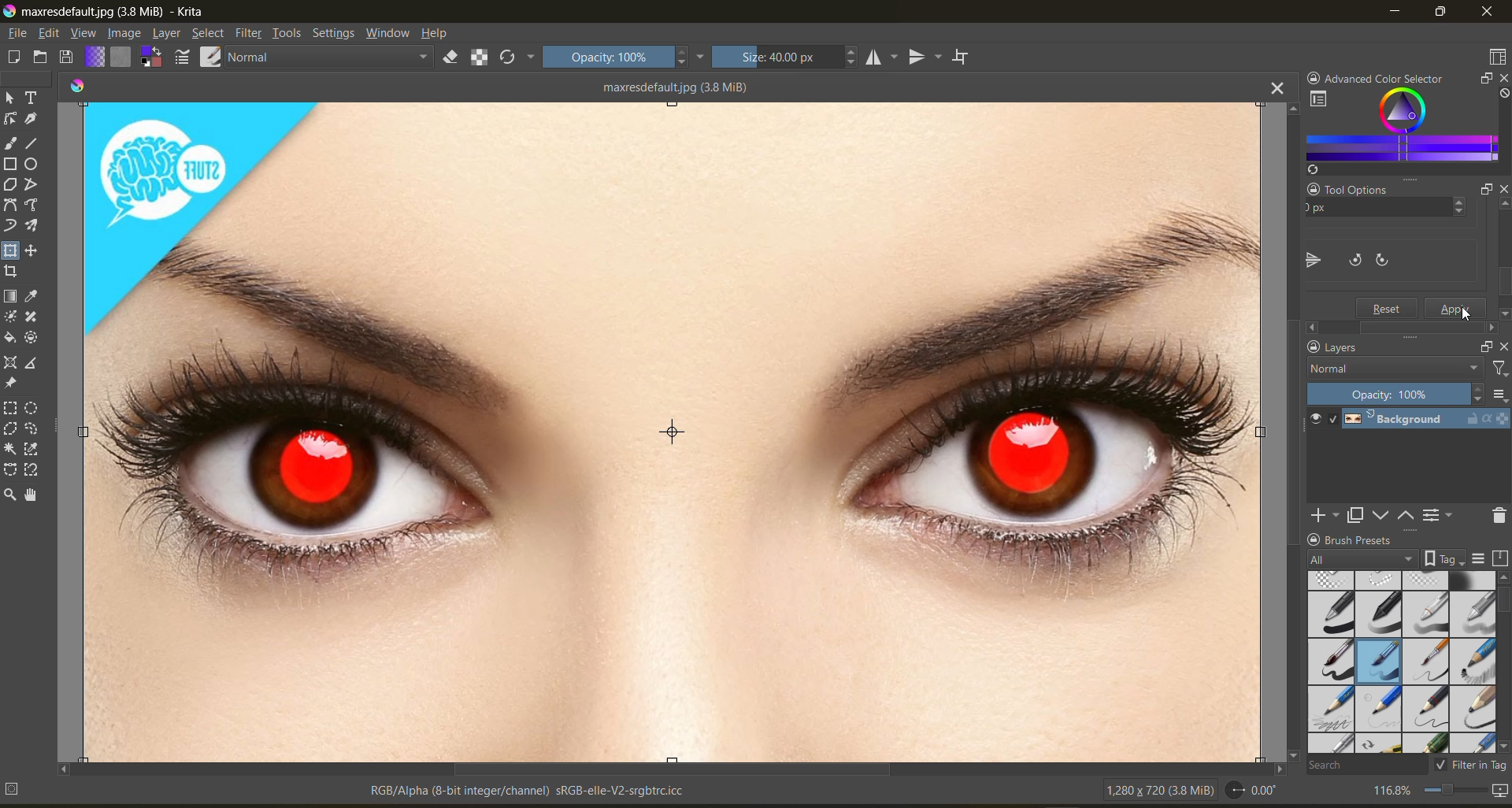 This screenshot has width=1512, height=808. I want to click on lock docker, so click(1312, 347).